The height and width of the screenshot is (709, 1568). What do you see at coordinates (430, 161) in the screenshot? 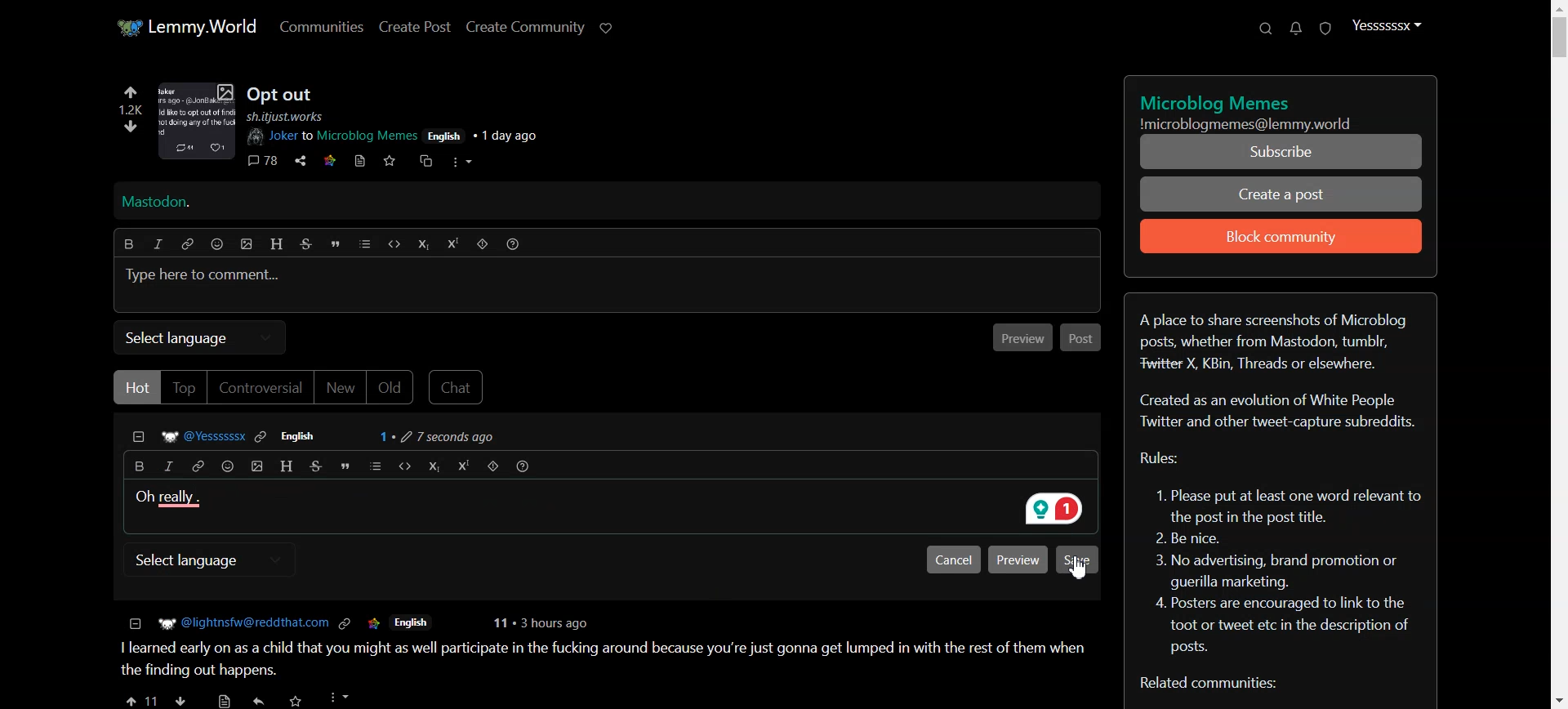
I see `cross share` at bounding box center [430, 161].